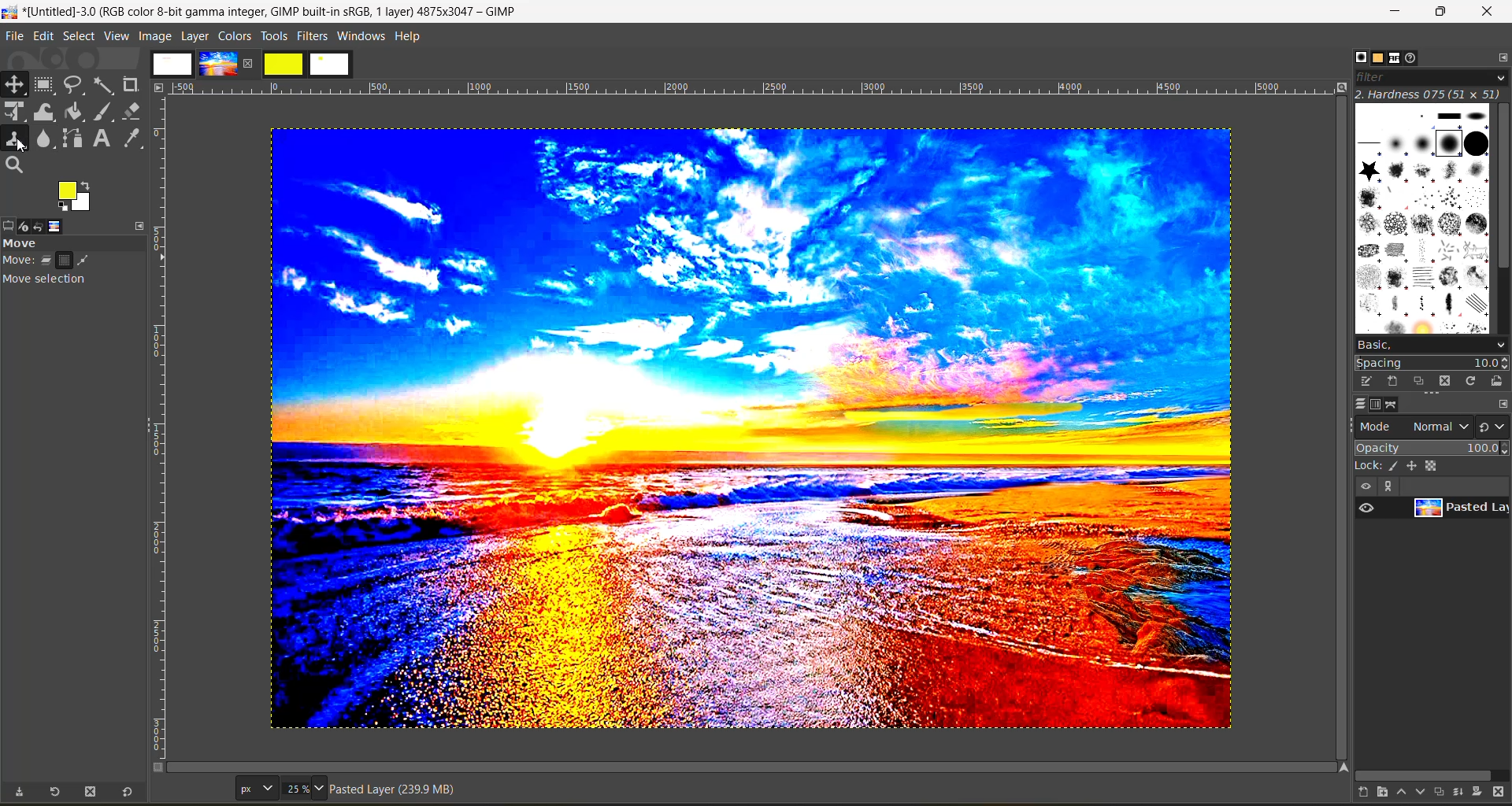  Describe the element at coordinates (9, 224) in the screenshot. I see `tool options` at that location.